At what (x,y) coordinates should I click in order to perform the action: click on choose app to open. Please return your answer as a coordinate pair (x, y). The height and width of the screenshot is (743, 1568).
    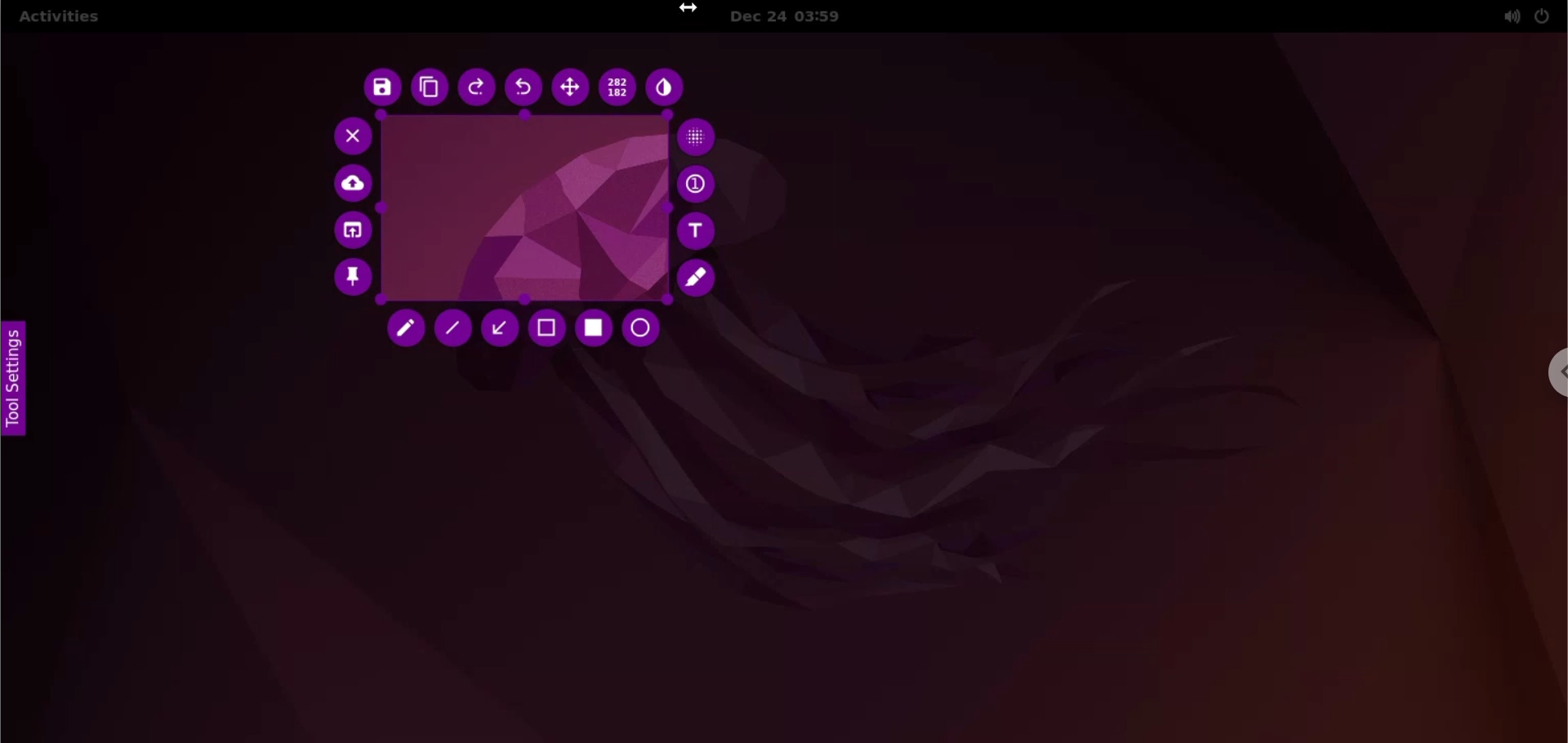
    Looking at the image, I should click on (350, 233).